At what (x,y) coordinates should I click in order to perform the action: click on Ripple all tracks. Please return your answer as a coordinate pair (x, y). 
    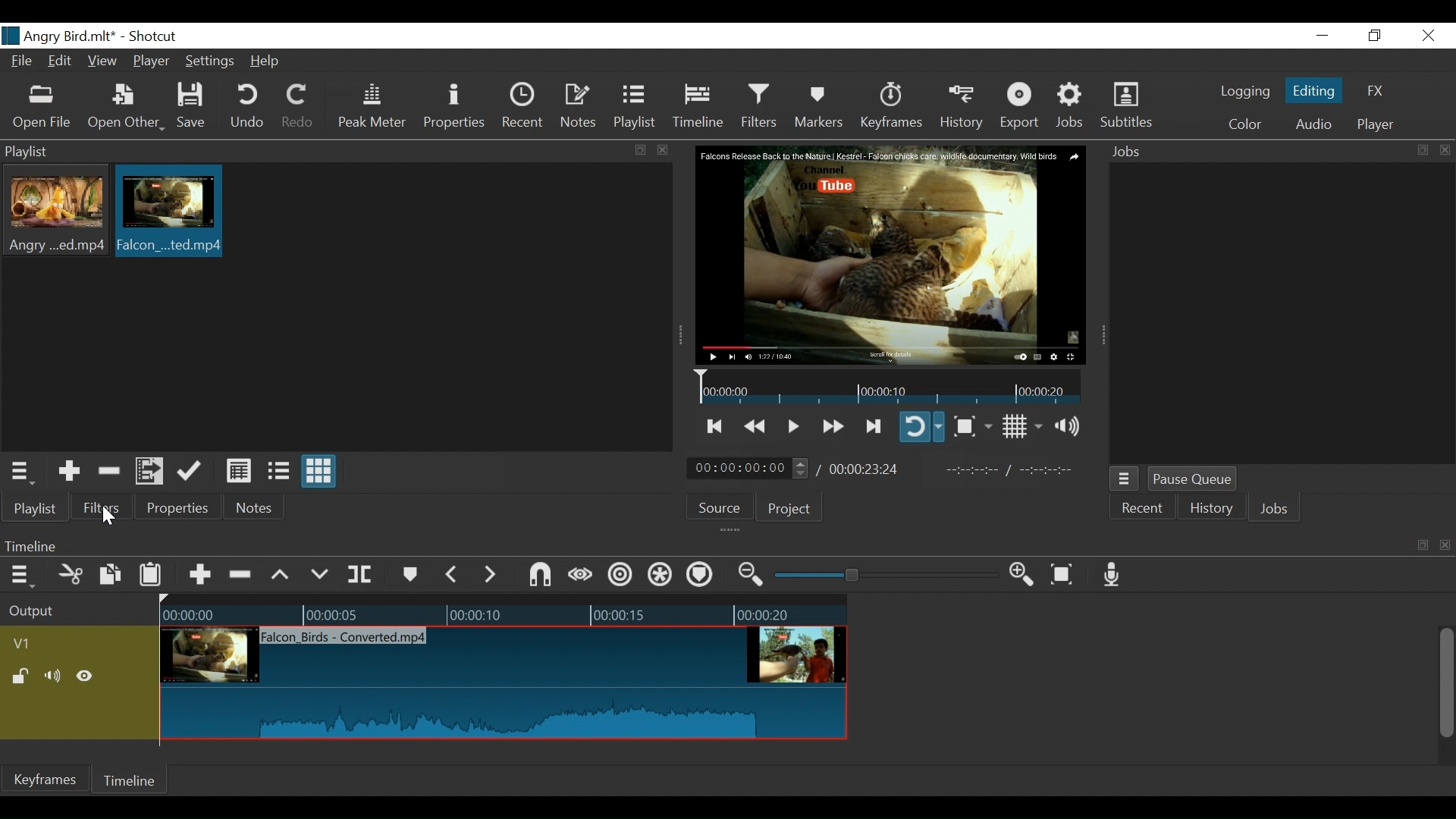
    Looking at the image, I should click on (661, 576).